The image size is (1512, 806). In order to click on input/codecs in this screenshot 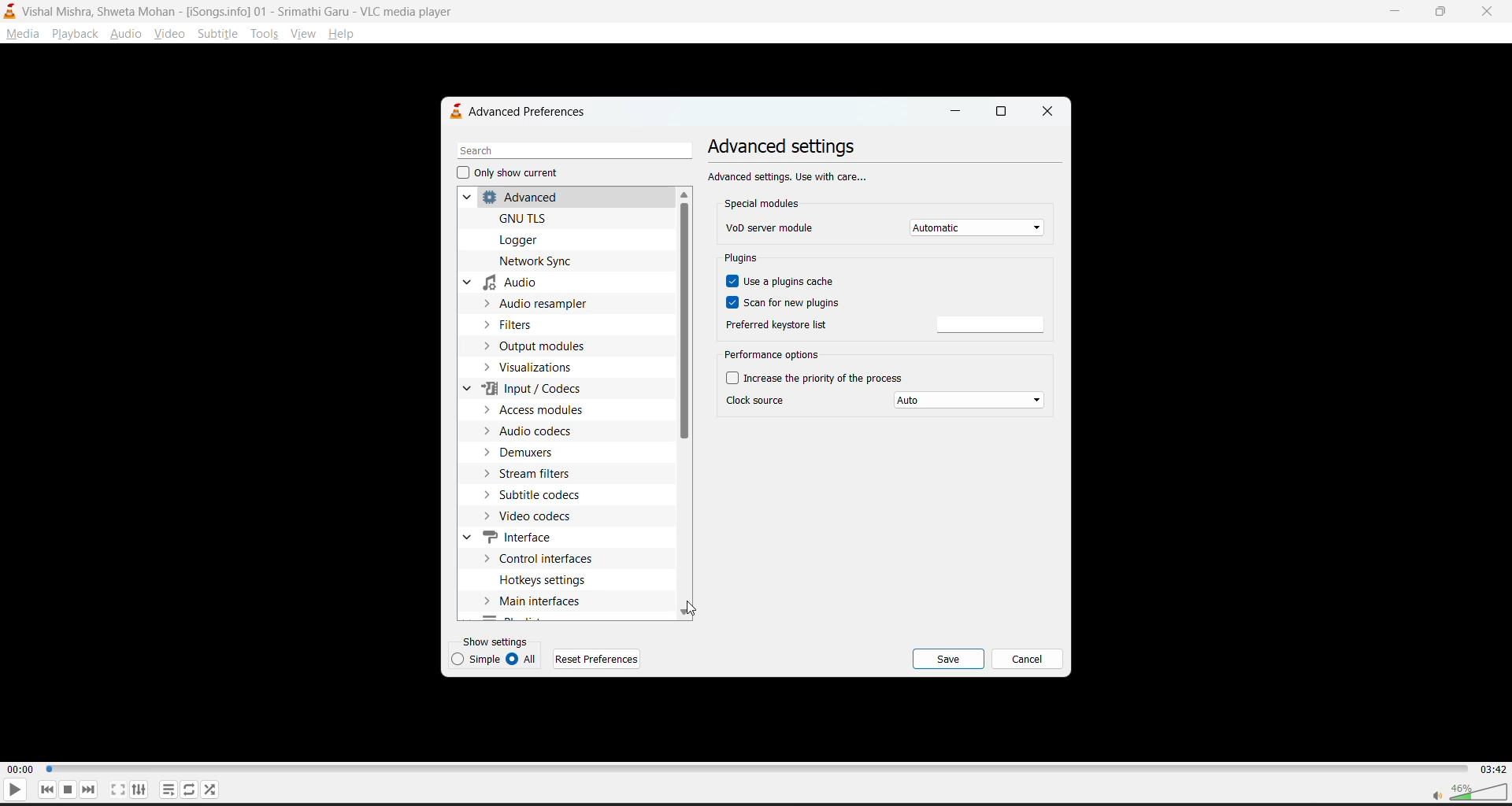, I will do `click(521, 390)`.